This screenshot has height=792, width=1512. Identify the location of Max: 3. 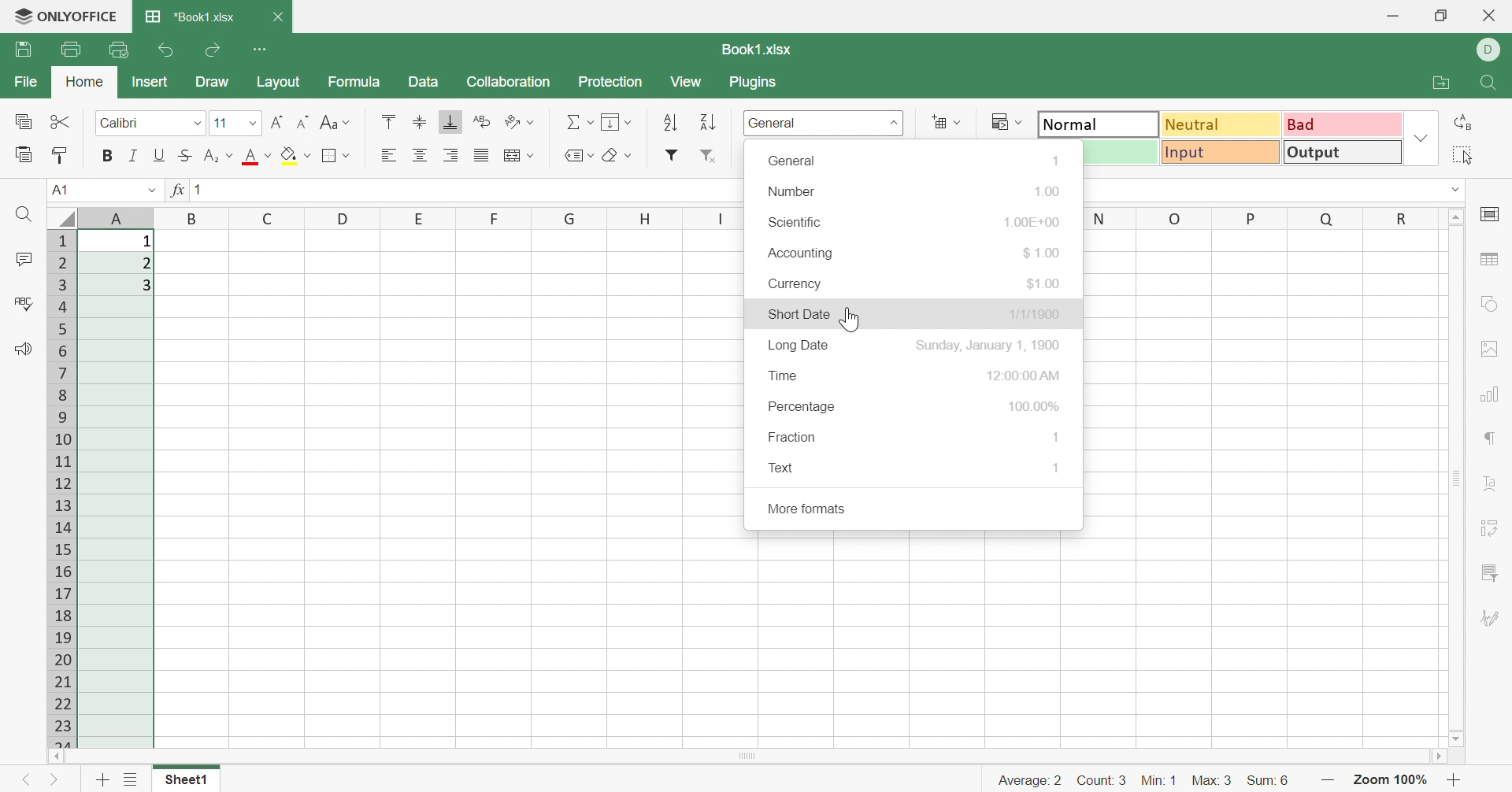
(1214, 781).